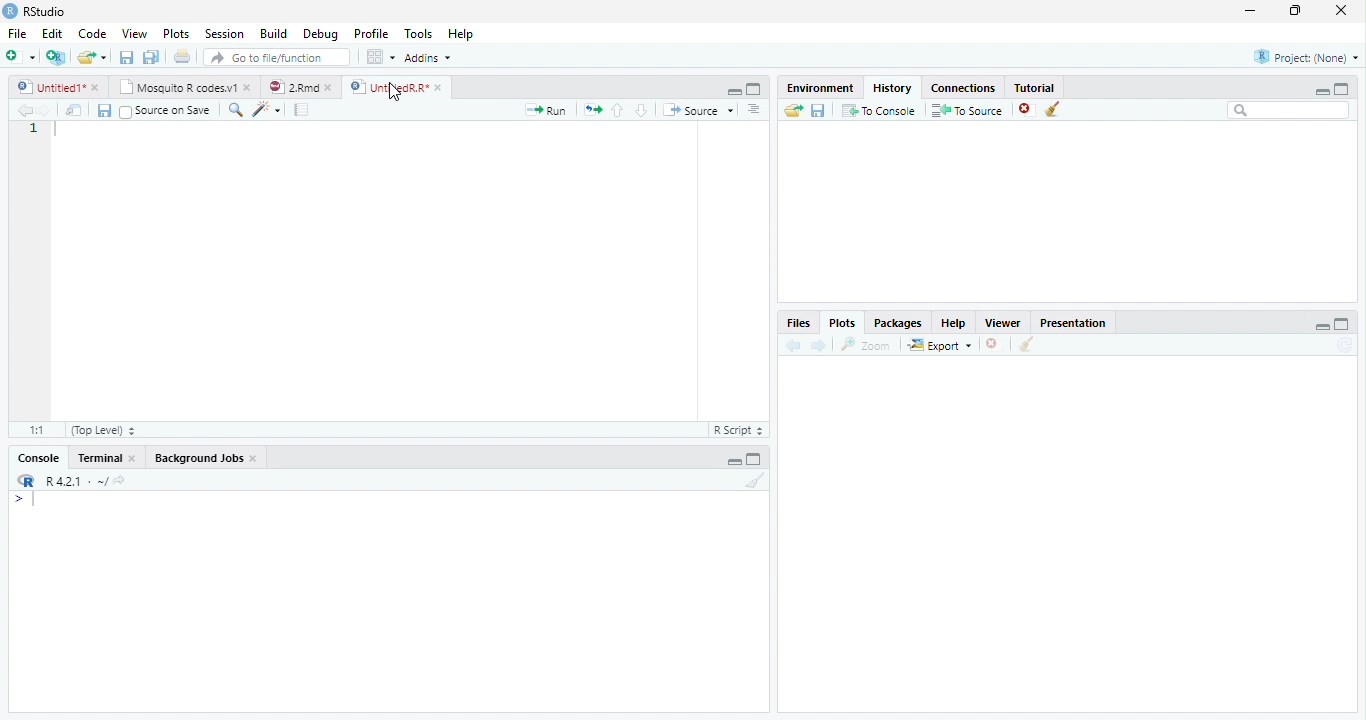 Image resolution: width=1366 pixels, height=720 pixels. I want to click on New file, so click(19, 57).